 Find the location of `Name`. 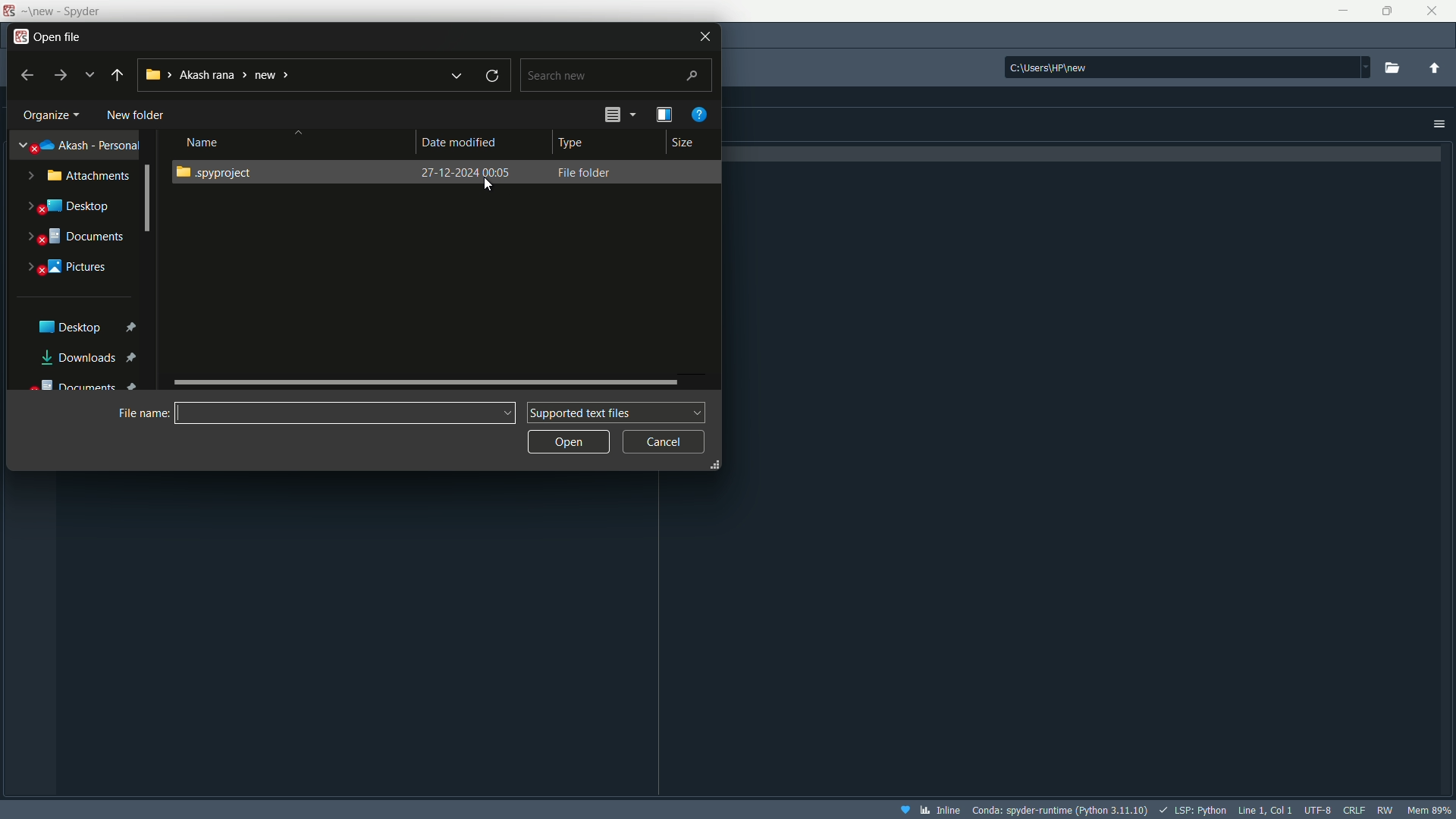

Name is located at coordinates (206, 141).